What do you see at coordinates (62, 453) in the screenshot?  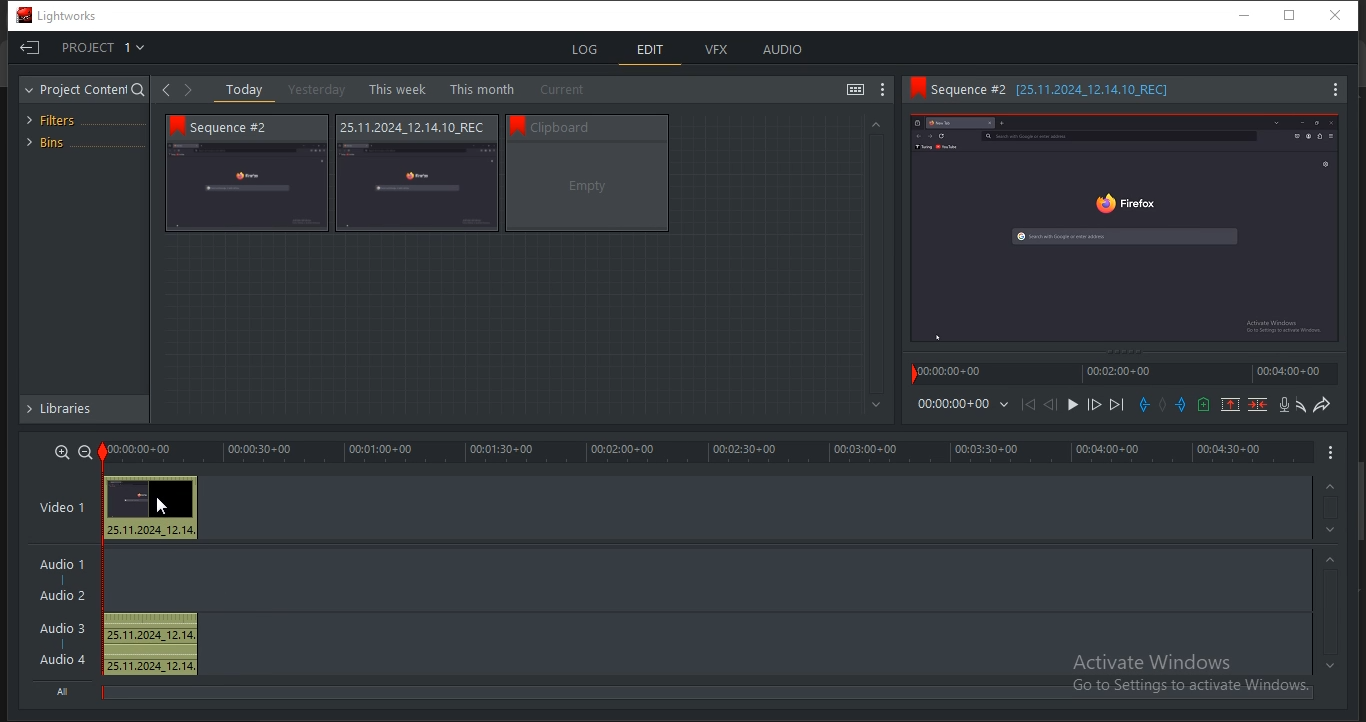 I see `zoom in` at bounding box center [62, 453].